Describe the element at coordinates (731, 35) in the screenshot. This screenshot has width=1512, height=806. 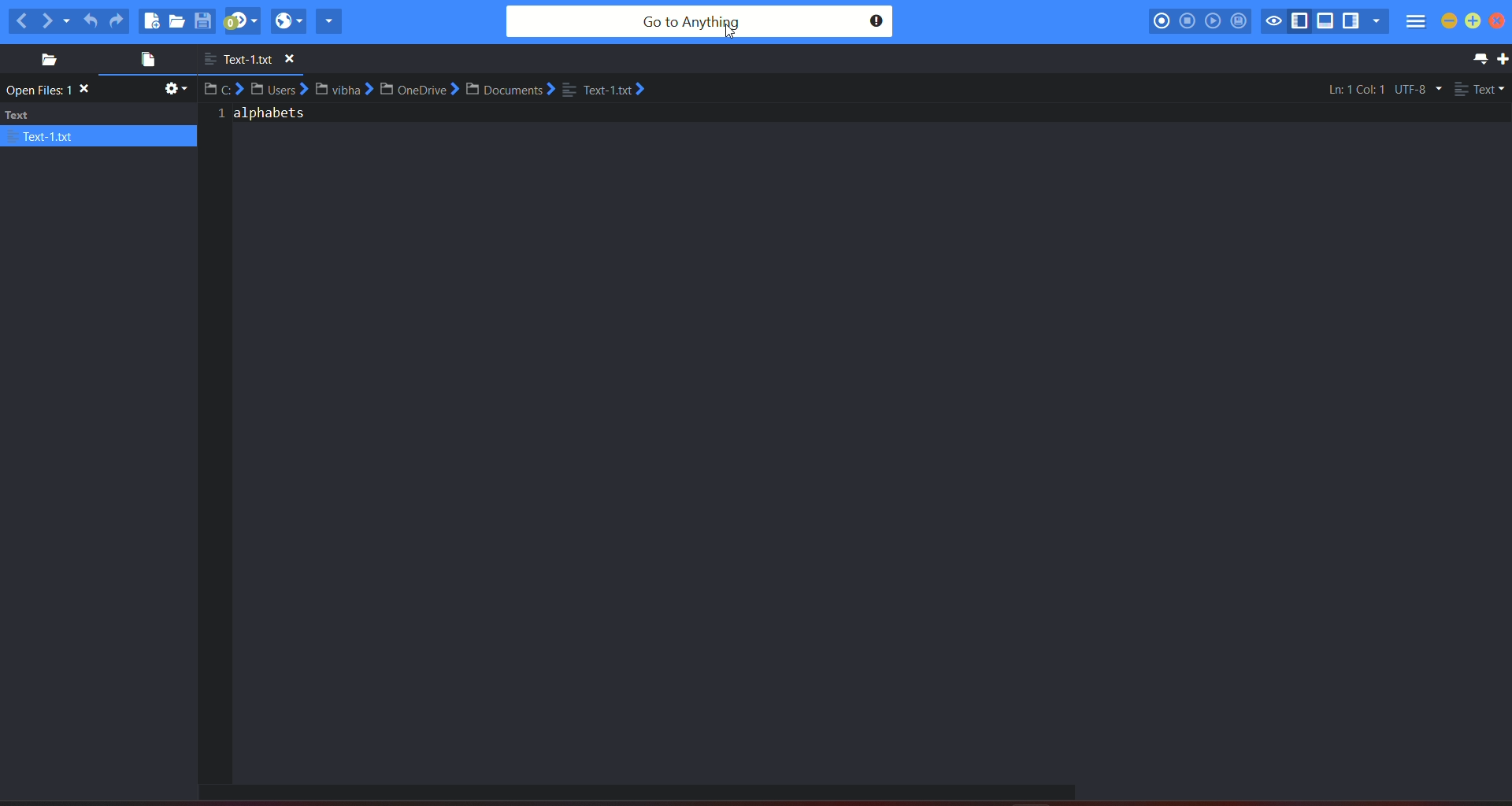
I see `cursor` at that location.